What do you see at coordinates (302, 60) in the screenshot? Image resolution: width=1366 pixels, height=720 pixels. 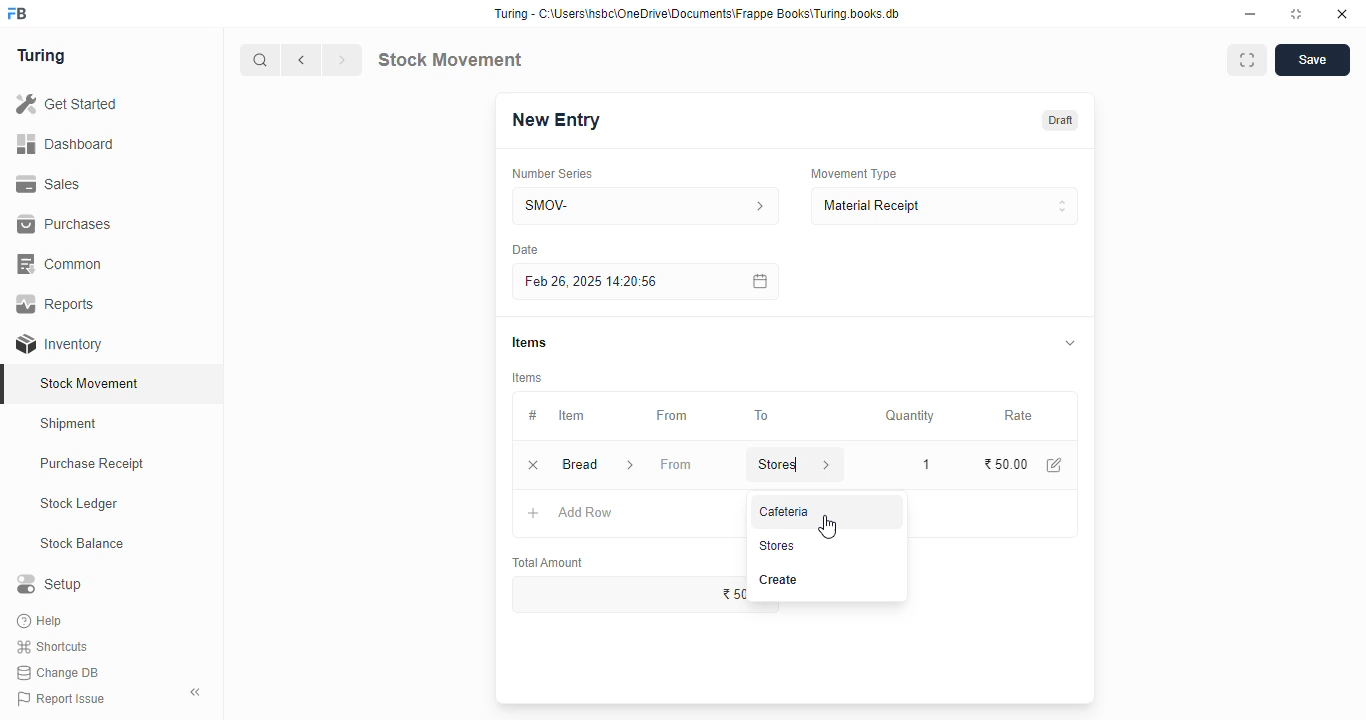 I see `previous` at bounding box center [302, 60].